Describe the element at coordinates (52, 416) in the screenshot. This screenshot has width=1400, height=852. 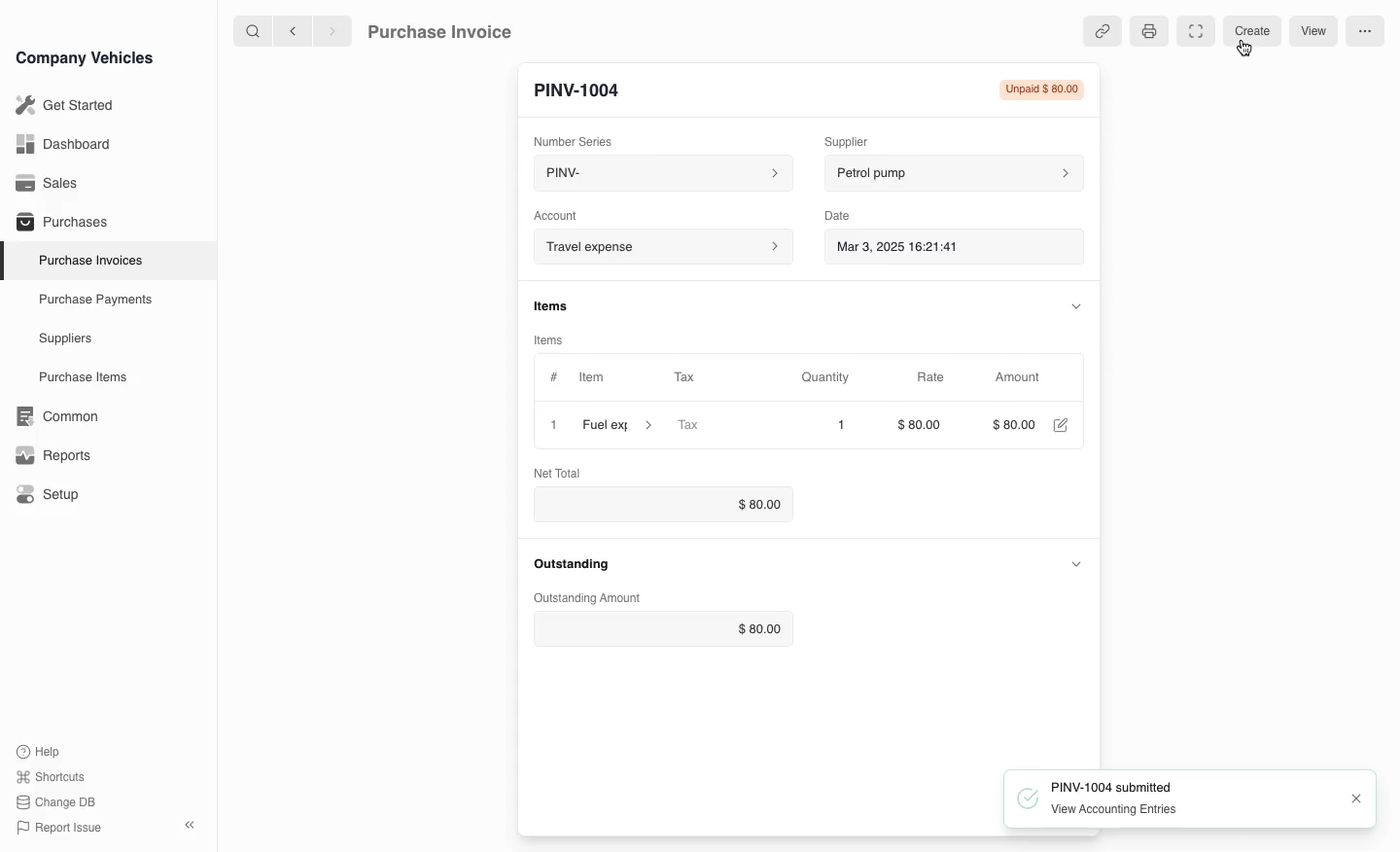
I see `Common` at that location.